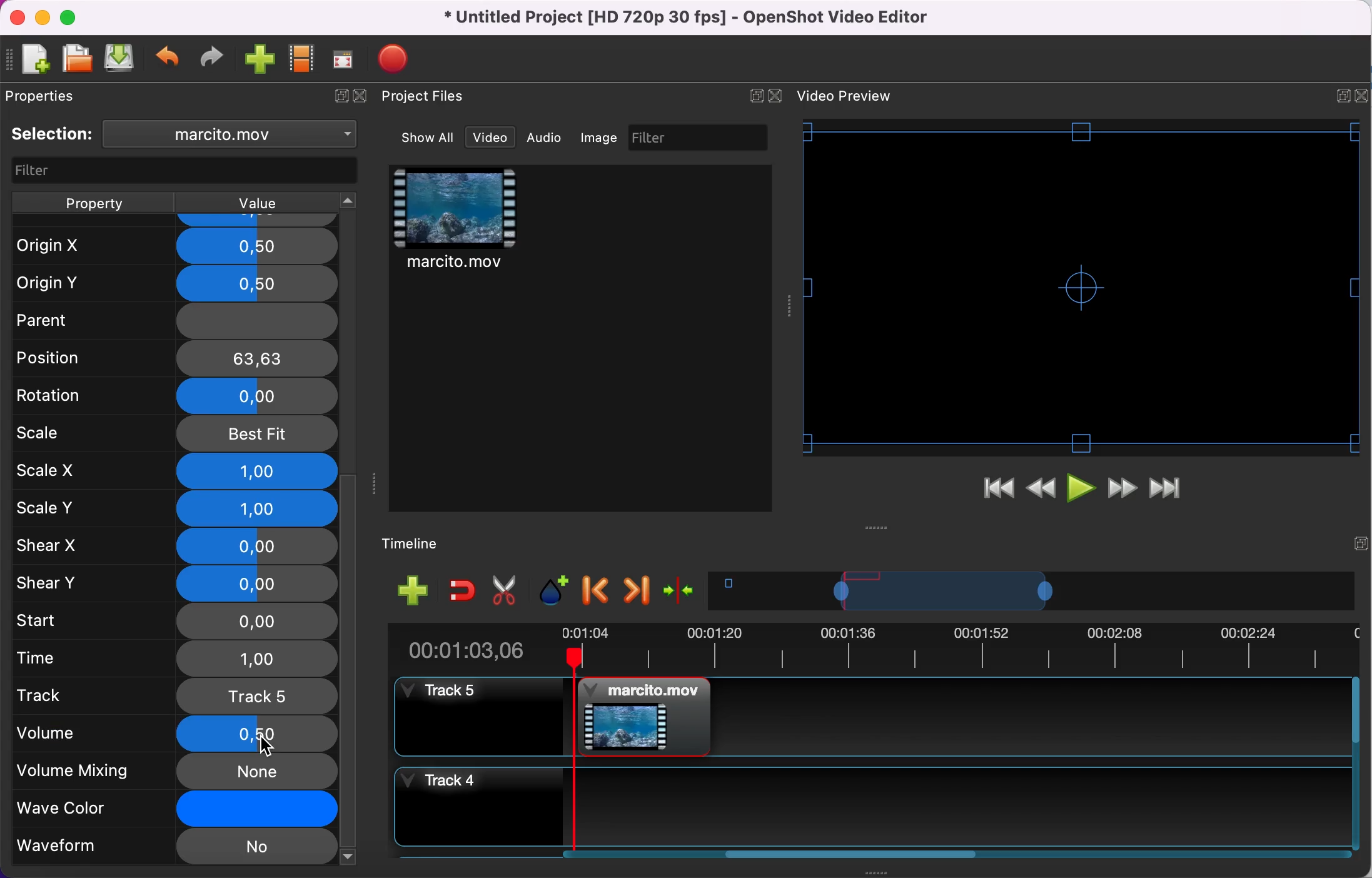  I want to click on add track, so click(413, 589).